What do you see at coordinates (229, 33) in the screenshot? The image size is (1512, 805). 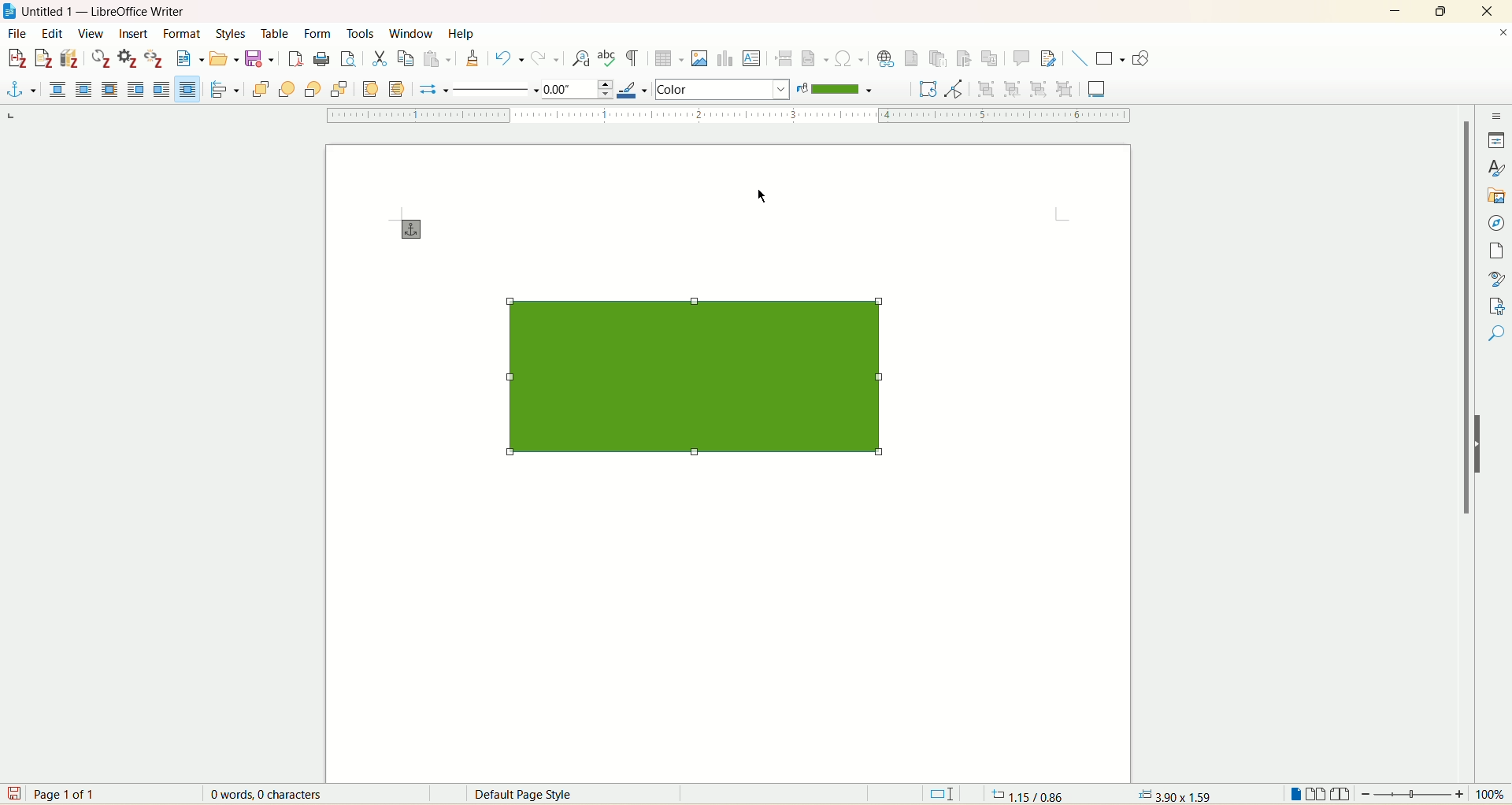 I see `styles` at bounding box center [229, 33].